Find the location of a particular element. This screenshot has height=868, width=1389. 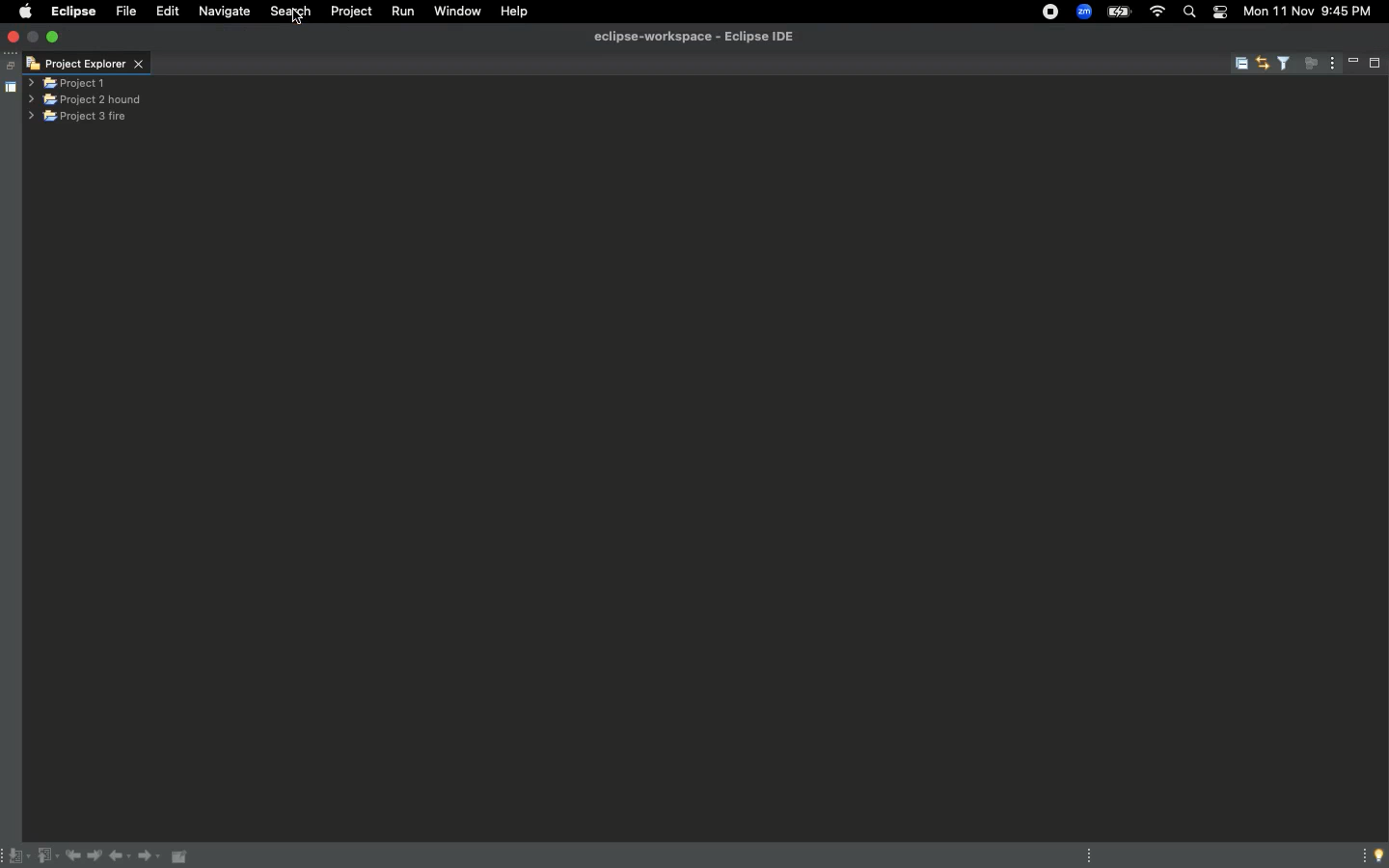

Internet is located at coordinates (1158, 13).